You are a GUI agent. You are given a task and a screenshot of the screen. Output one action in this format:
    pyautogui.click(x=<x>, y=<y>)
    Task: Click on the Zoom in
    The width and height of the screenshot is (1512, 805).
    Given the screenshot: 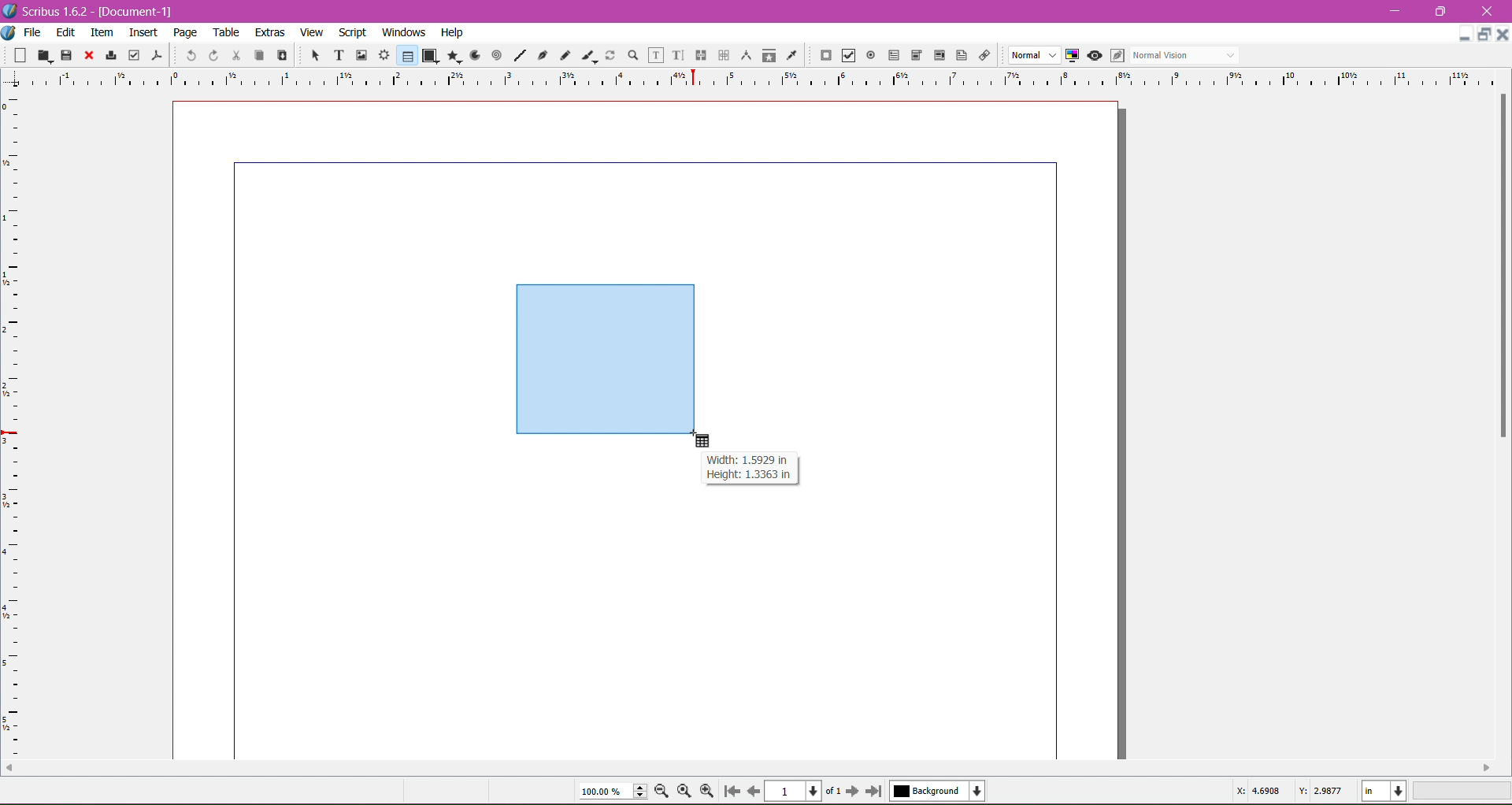 What is the action you would take?
    pyautogui.click(x=708, y=791)
    